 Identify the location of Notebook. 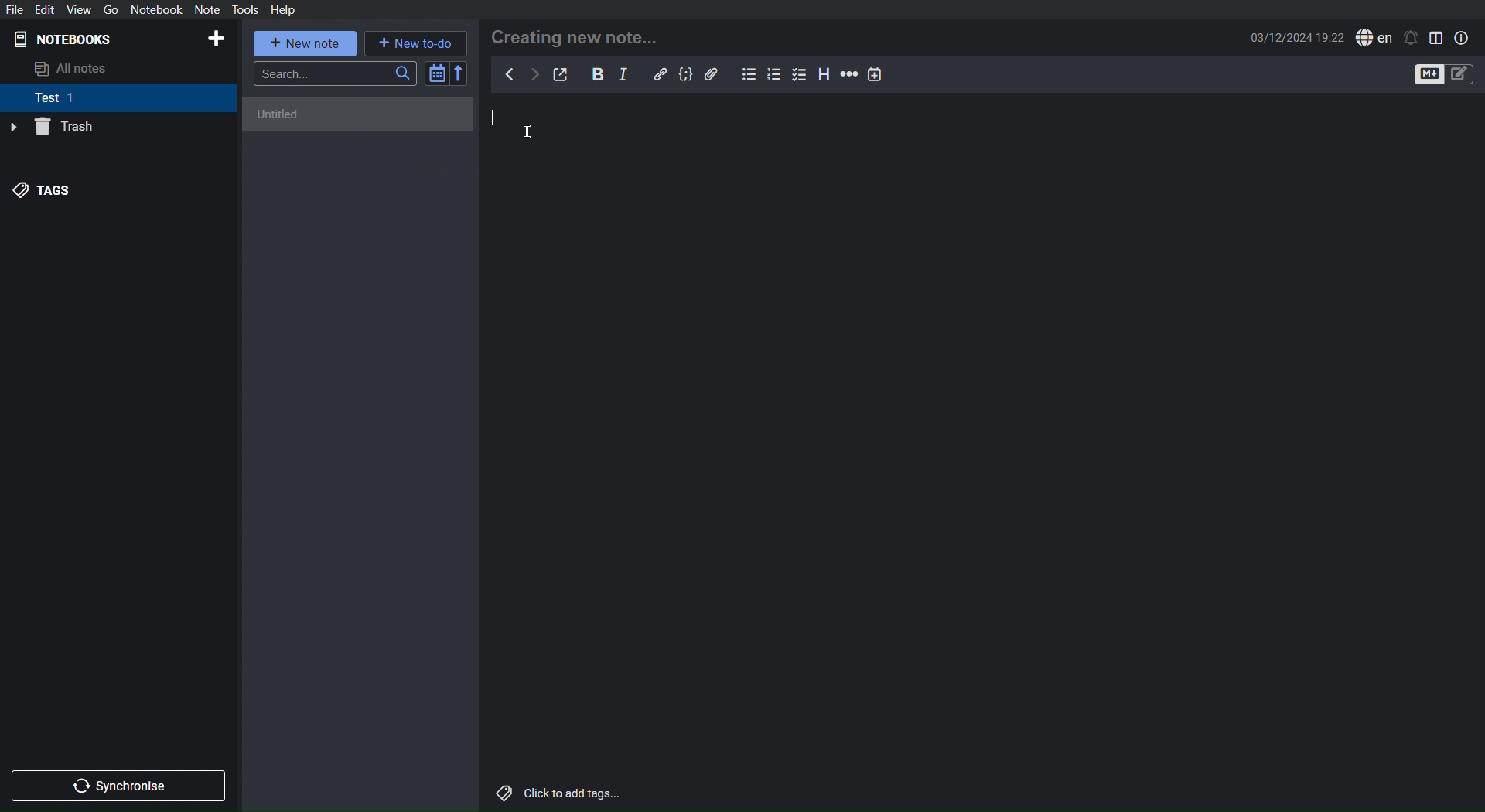
(156, 10).